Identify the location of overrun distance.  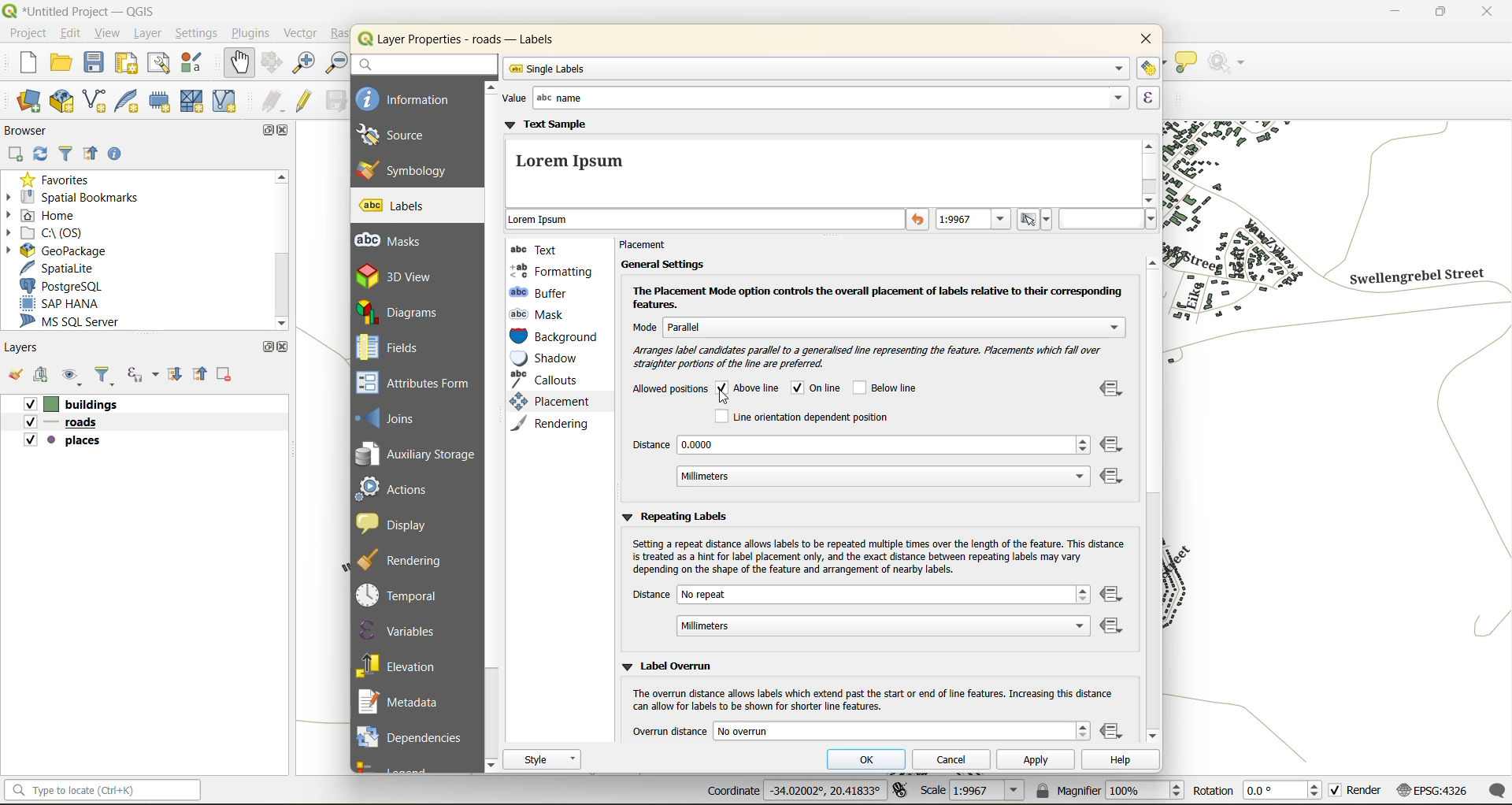
(860, 730).